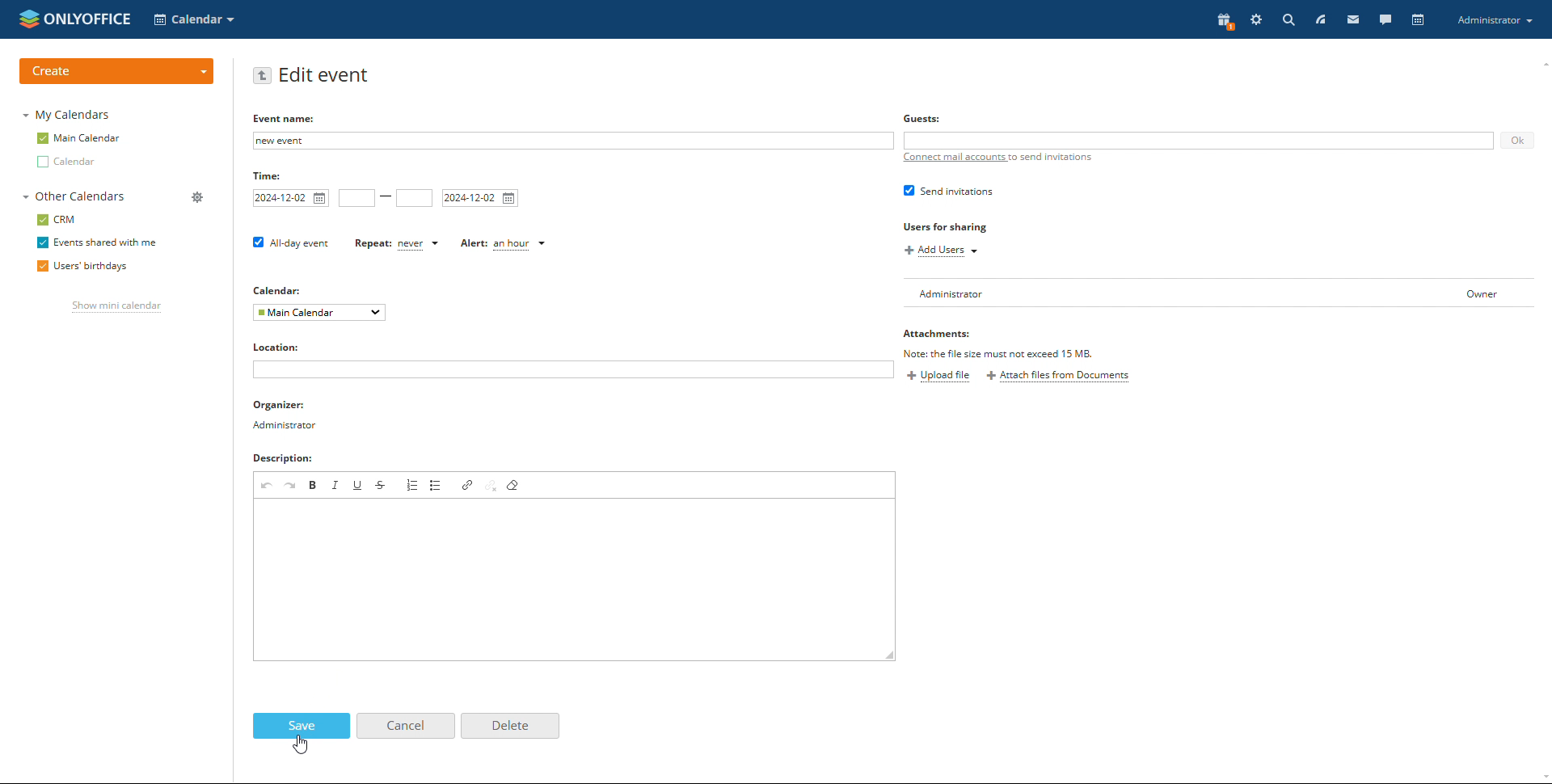 The image size is (1552, 784). I want to click on my calendars, so click(70, 115).